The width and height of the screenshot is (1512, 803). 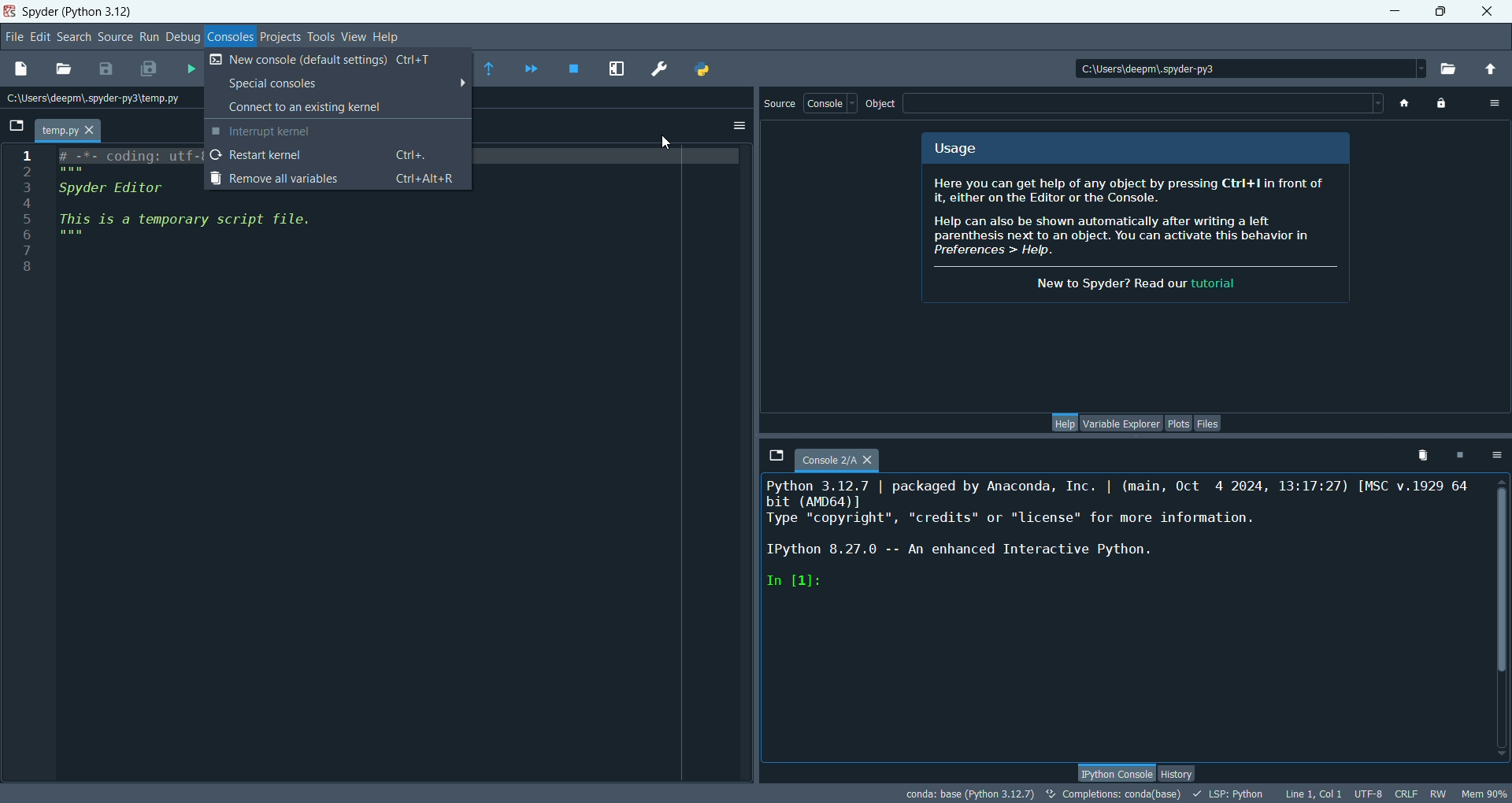 What do you see at coordinates (1450, 65) in the screenshot?
I see `browse working directory` at bounding box center [1450, 65].